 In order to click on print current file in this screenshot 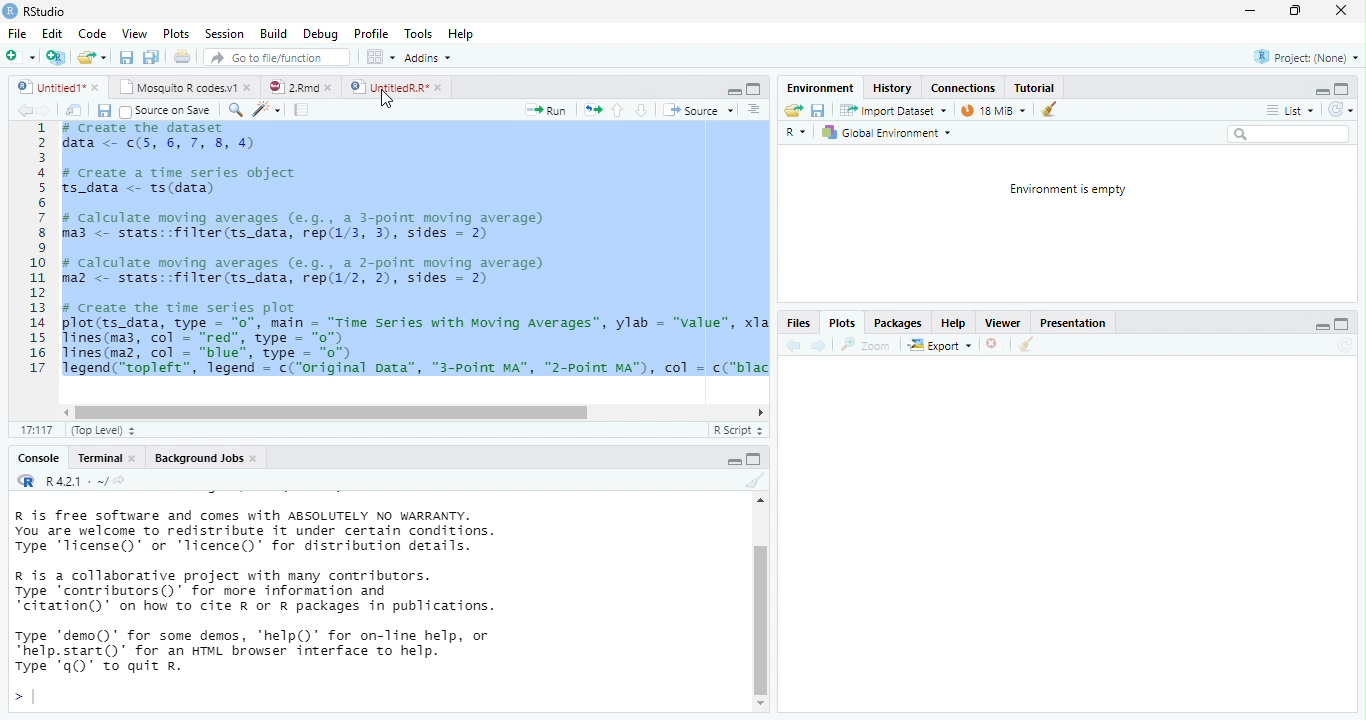, I will do `click(151, 57)`.